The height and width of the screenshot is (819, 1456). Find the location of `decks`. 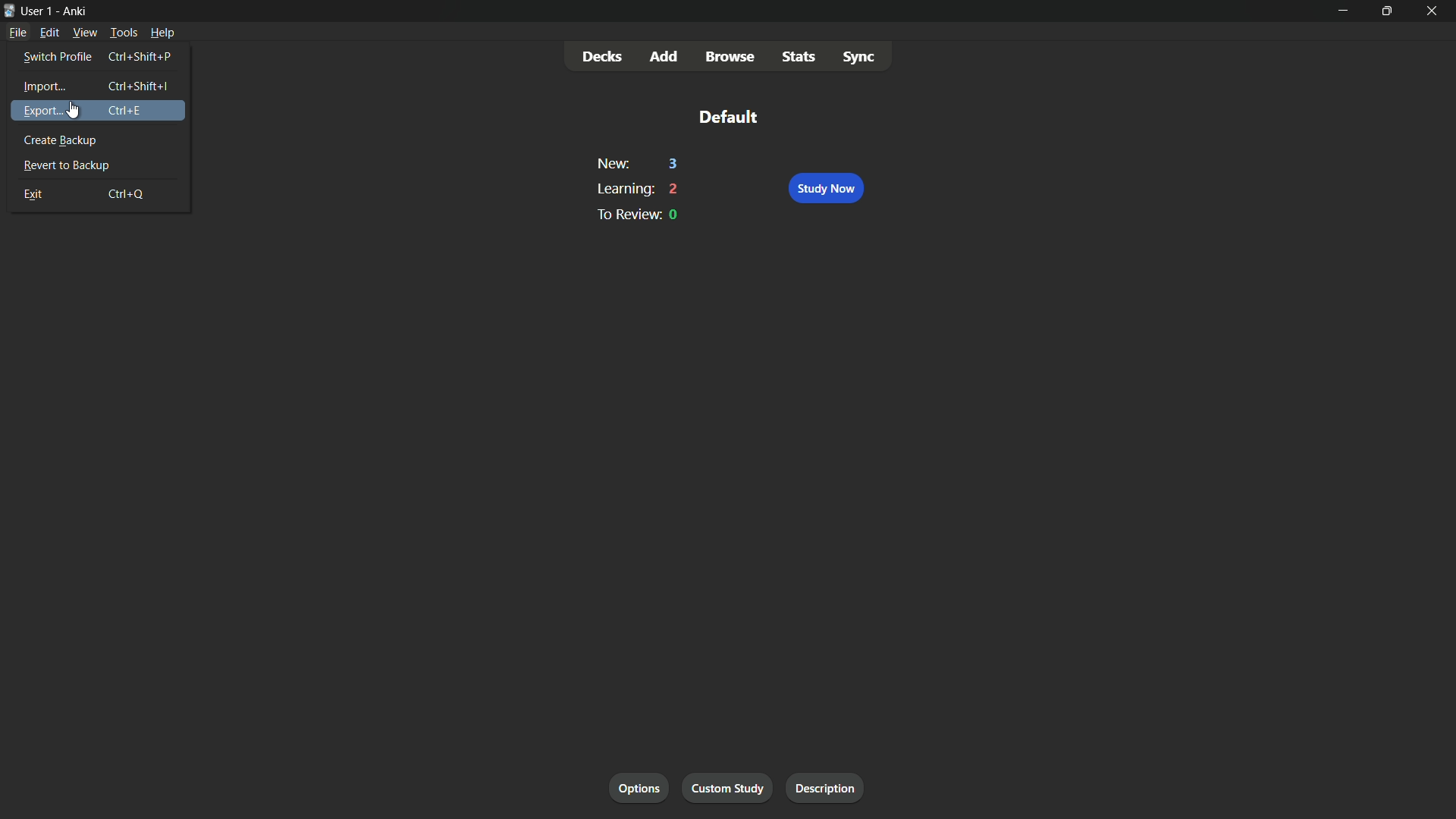

decks is located at coordinates (603, 57).